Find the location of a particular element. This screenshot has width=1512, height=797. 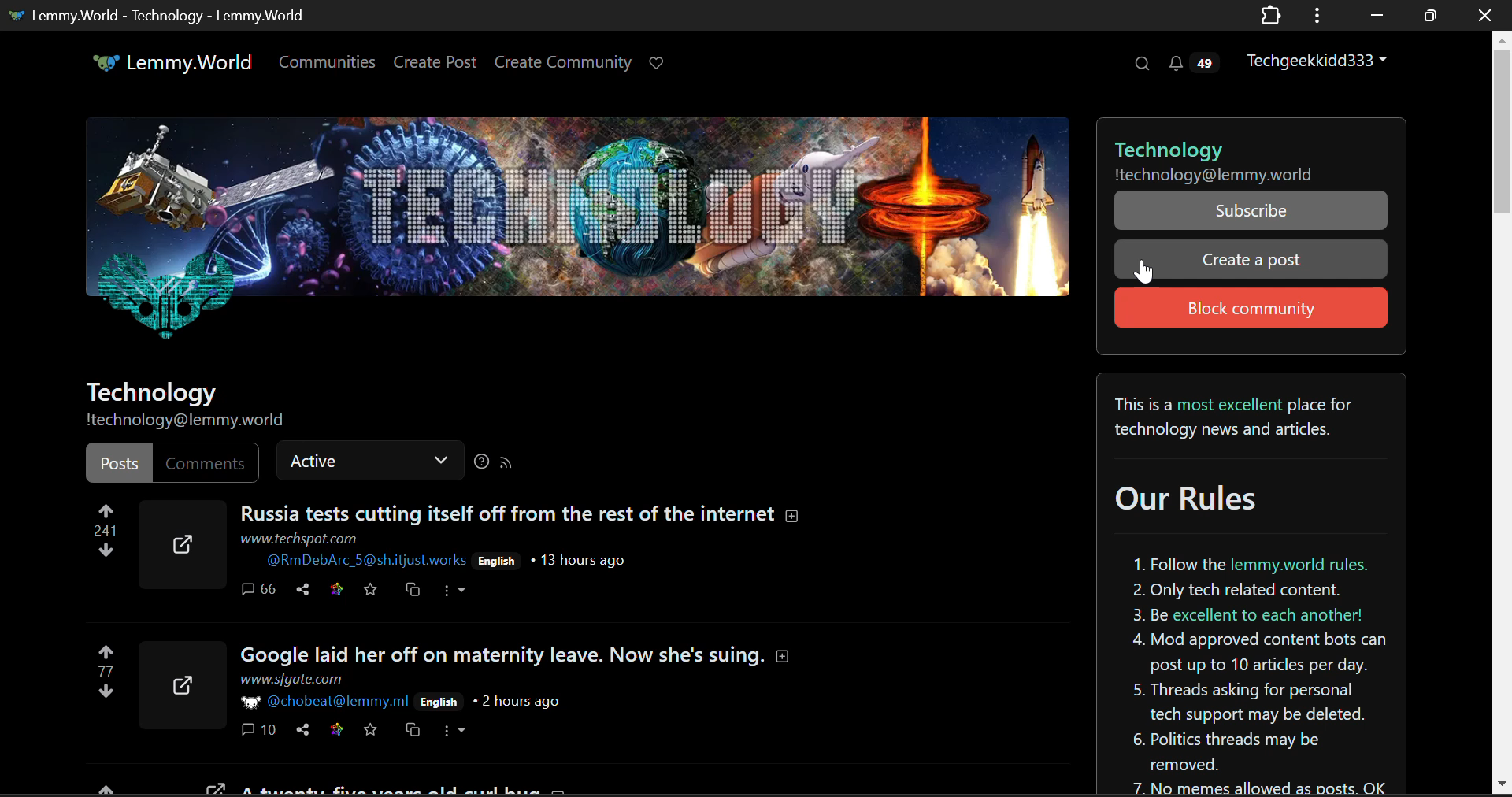

Create a post is located at coordinates (1248, 260).